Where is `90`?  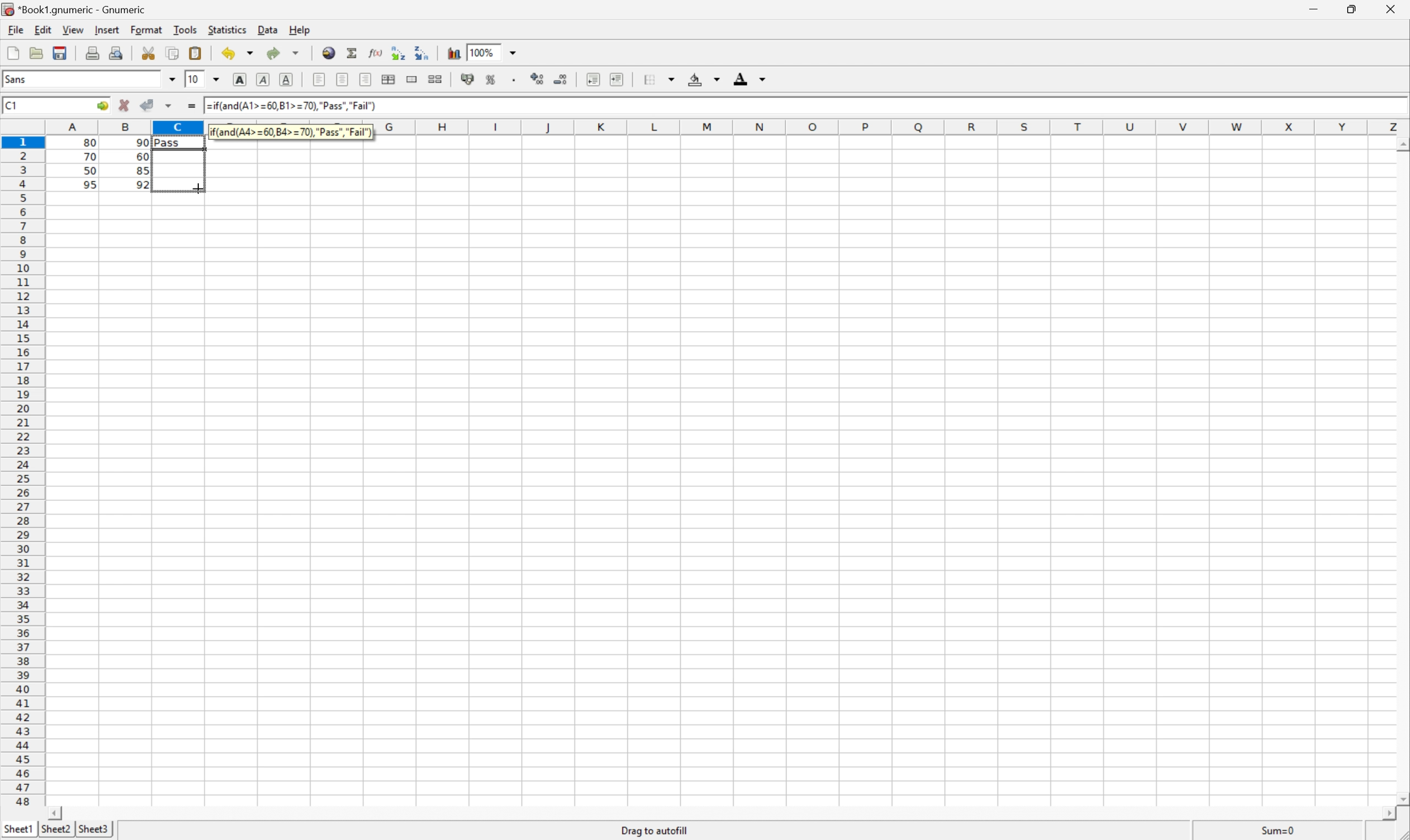
90 is located at coordinates (142, 143).